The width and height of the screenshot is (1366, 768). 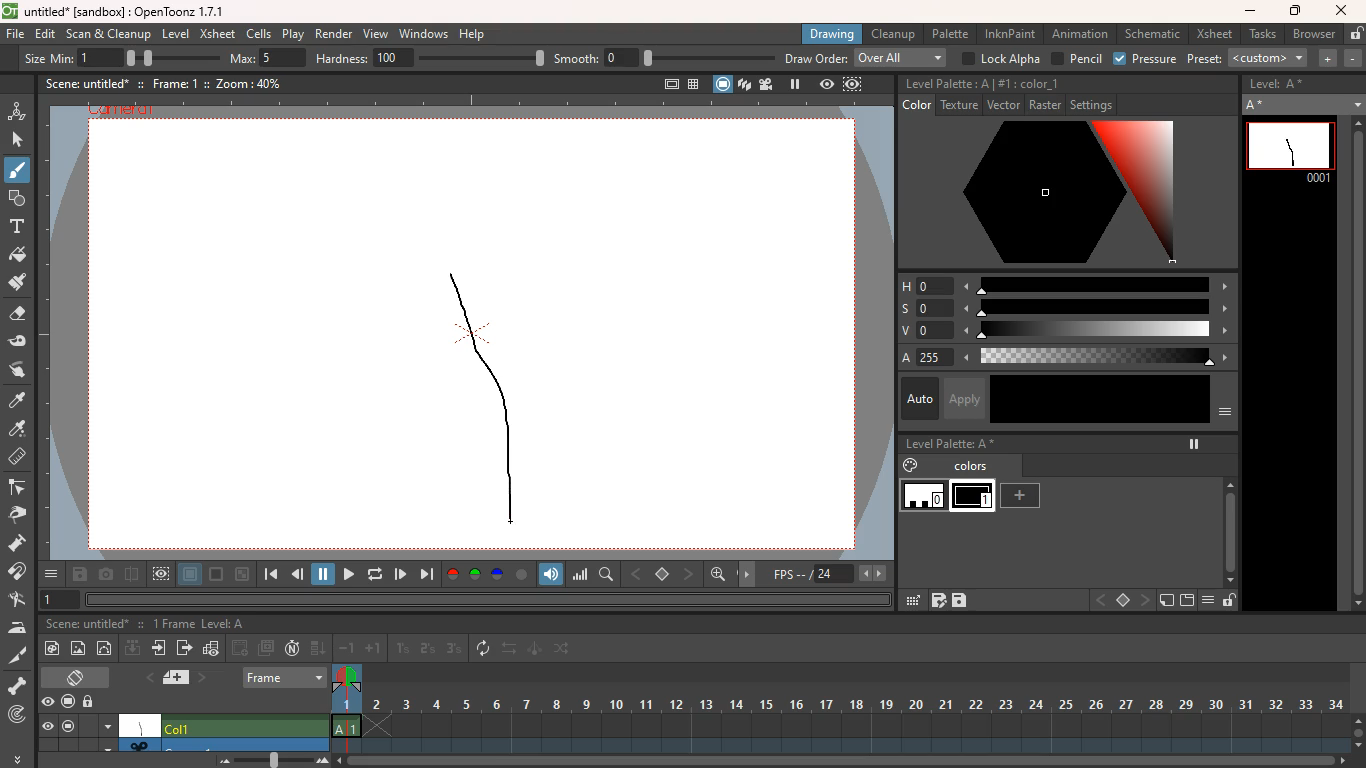 I want to click on v, so click(x=918, y=332).